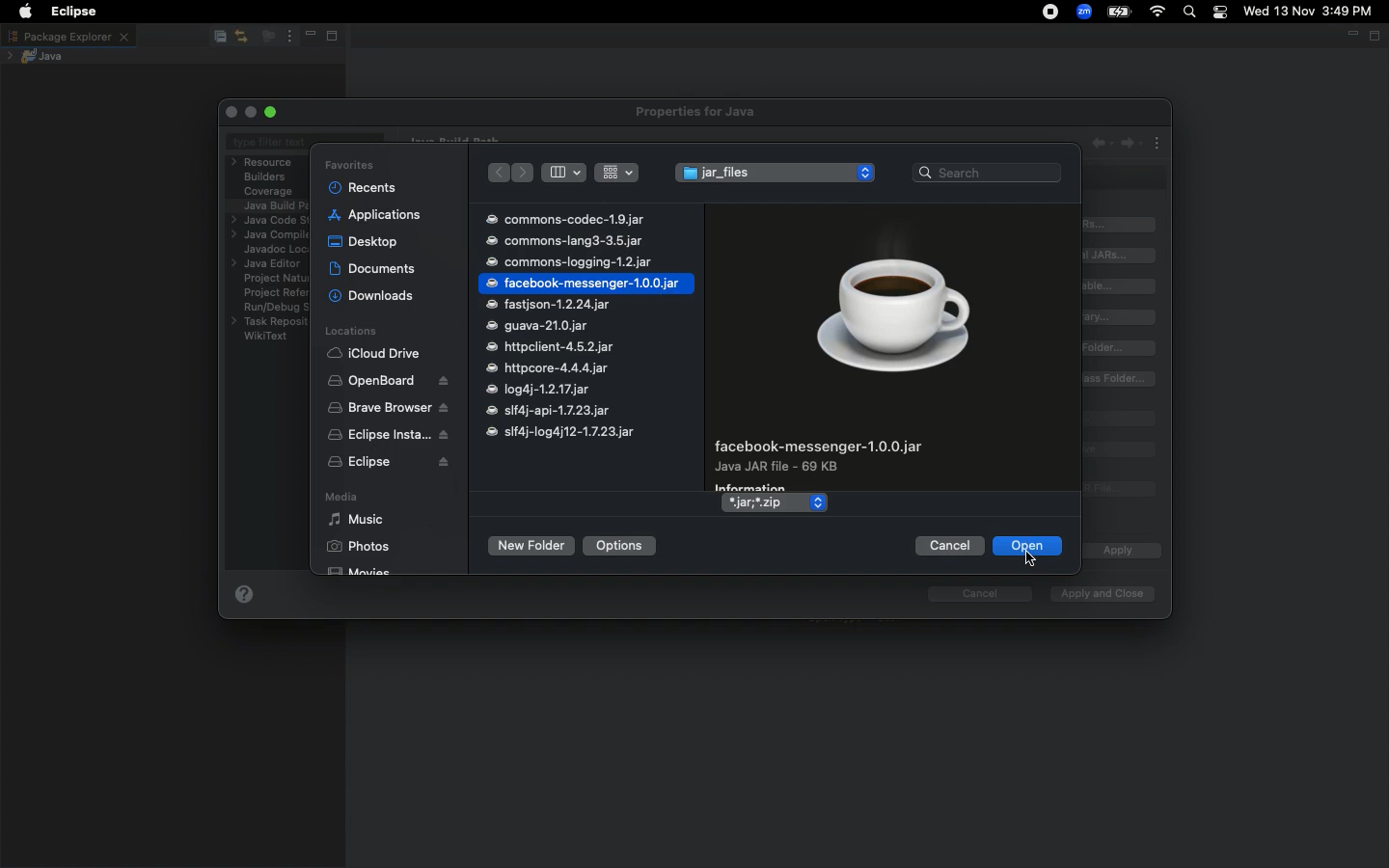 The image size is (1389, 868). Describe the element at coordinates (988, 171) in the screenshot. I see `Search` at that location.